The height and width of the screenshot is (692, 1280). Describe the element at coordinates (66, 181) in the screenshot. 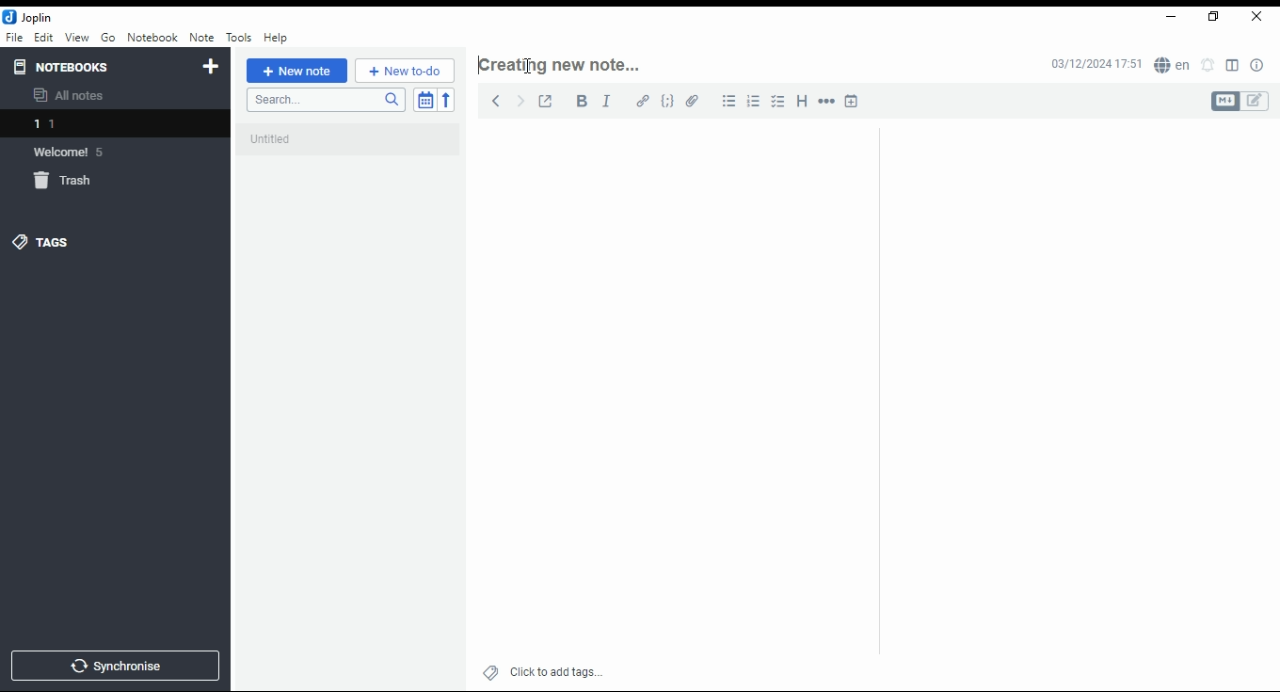

I see `trash` at that location.